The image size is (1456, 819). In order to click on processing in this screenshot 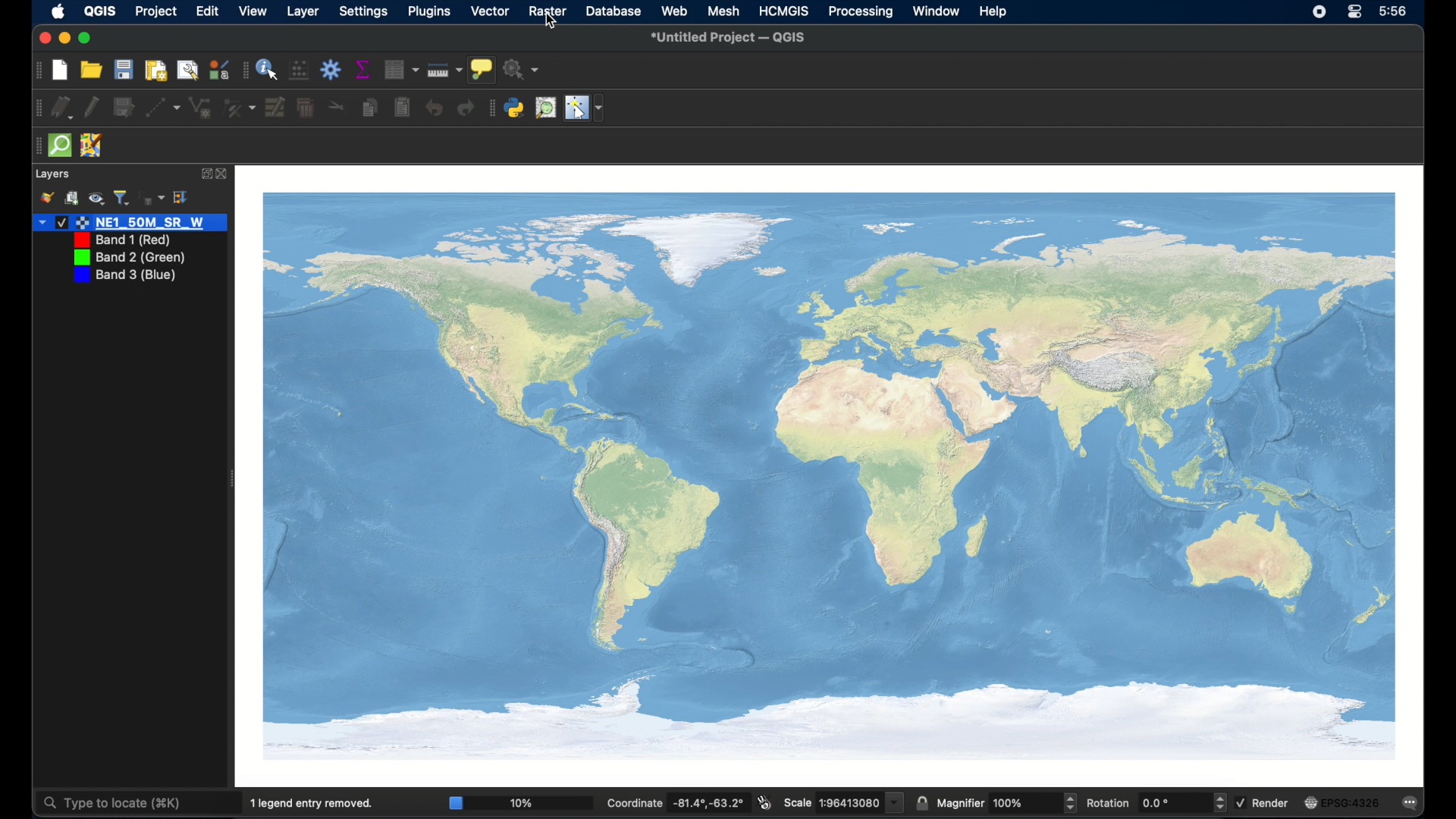, I will do `click(861, 13)`.